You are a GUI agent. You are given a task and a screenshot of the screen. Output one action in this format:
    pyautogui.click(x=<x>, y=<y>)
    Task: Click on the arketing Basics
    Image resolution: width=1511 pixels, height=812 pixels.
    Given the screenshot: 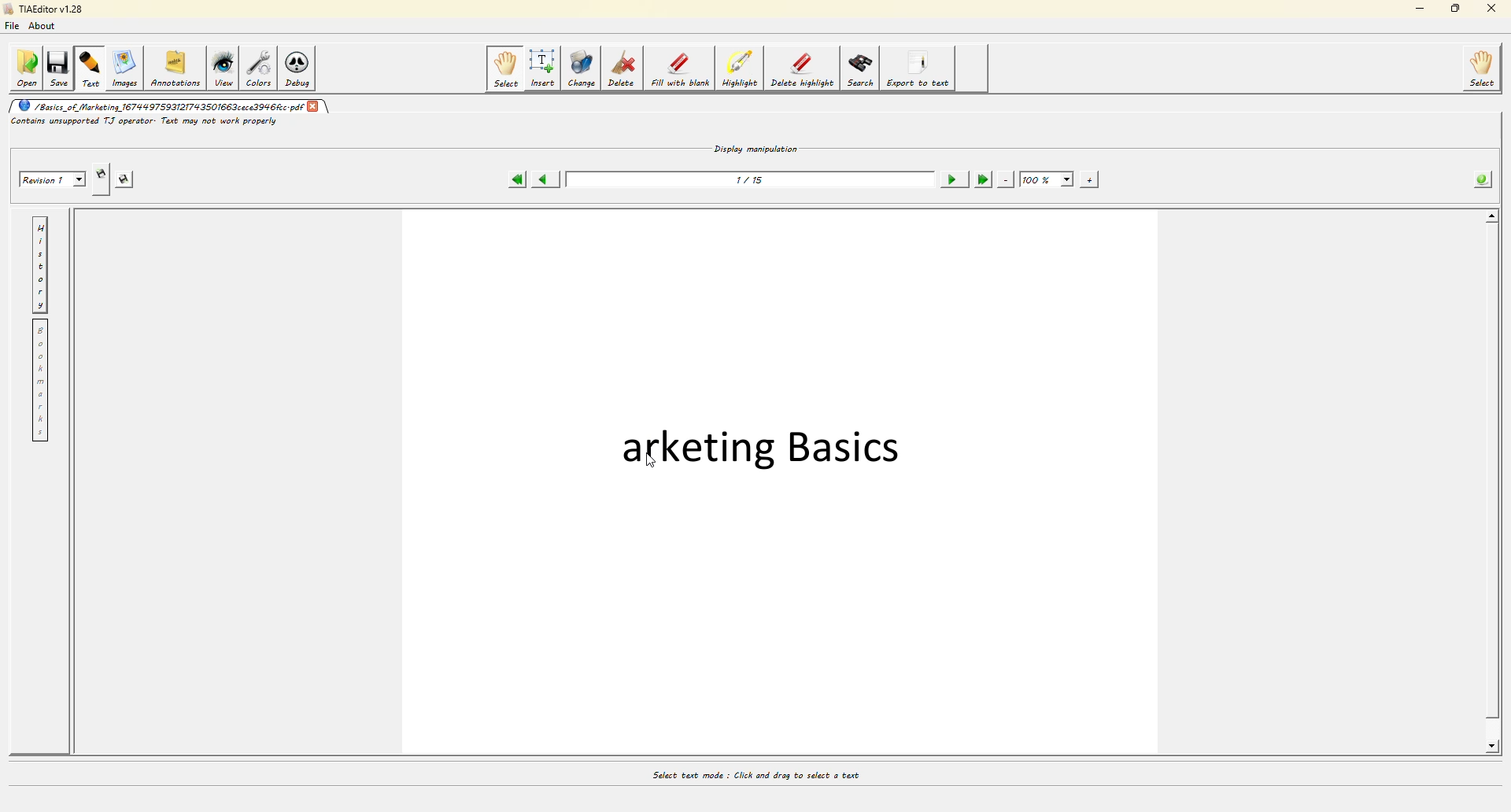 What is the action you would take?
    pyautogui.click(x=759, y=443)
    